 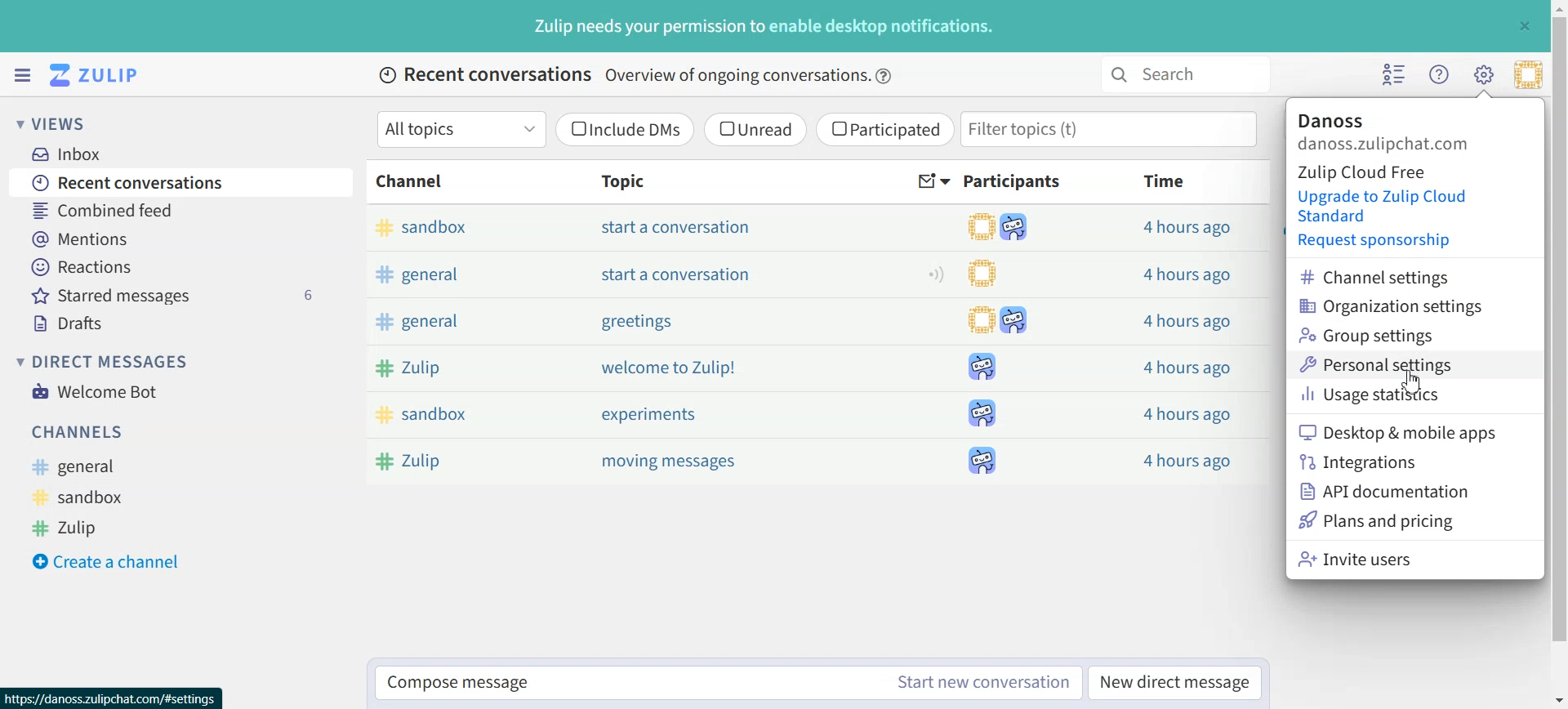 I want to click on 4 hours ago, so click(x=1185, y=366).